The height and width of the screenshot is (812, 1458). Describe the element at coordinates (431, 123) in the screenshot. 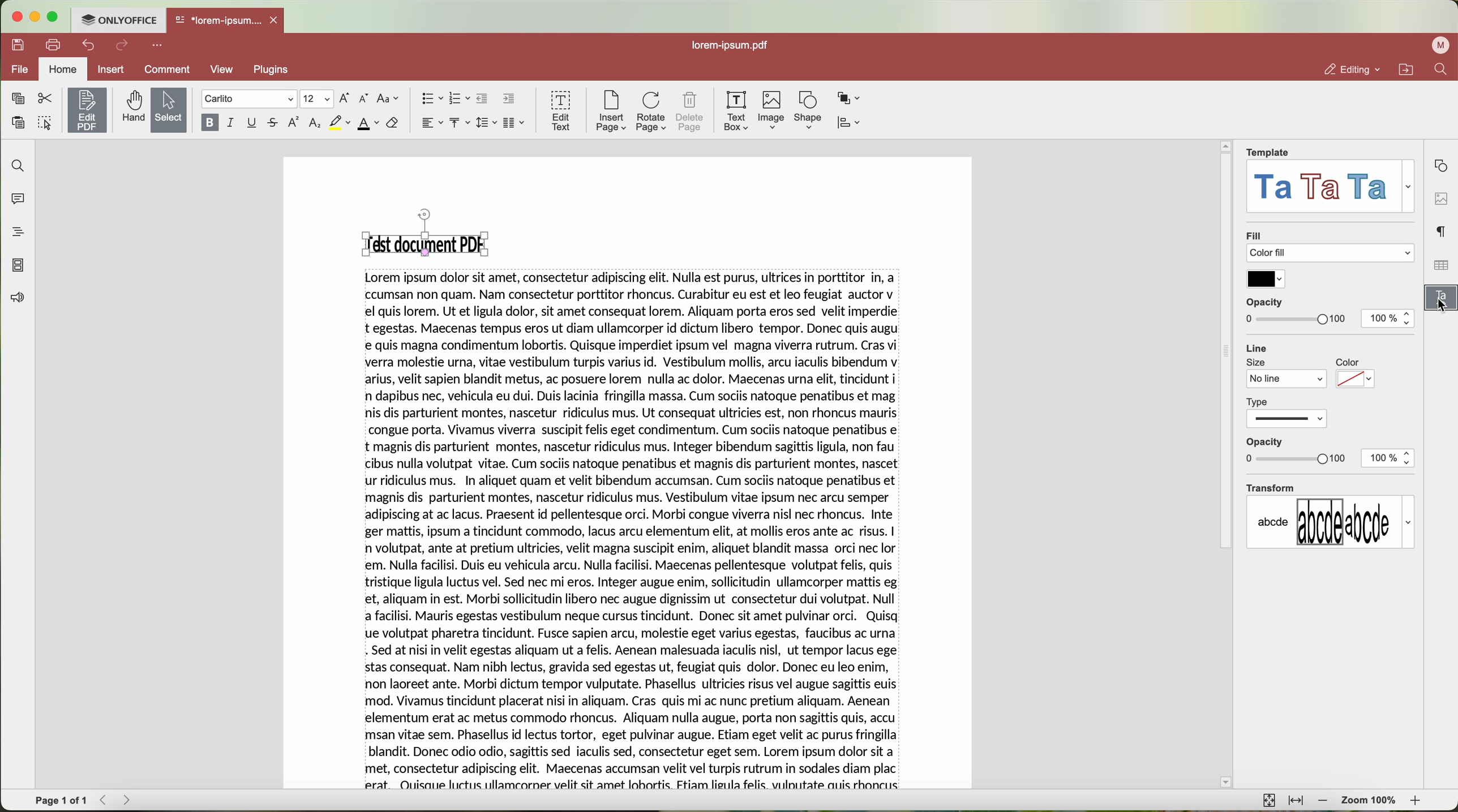

I see `horizontal align` at that location.